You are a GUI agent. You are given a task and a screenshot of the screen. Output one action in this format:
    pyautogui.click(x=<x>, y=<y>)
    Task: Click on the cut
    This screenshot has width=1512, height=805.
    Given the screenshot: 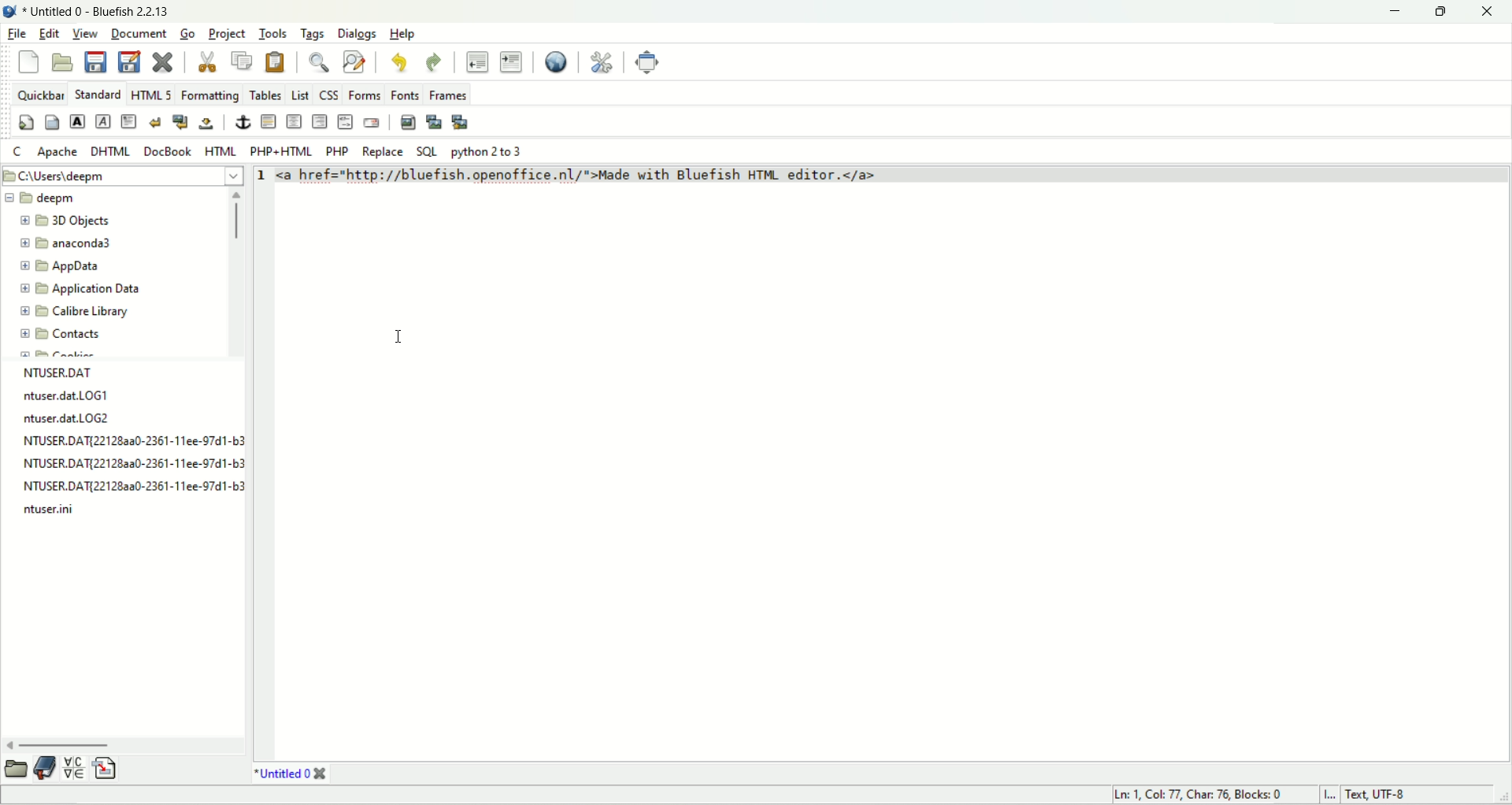 What is the action you would take?
    pyautogui.click(x=206, y=63)
    